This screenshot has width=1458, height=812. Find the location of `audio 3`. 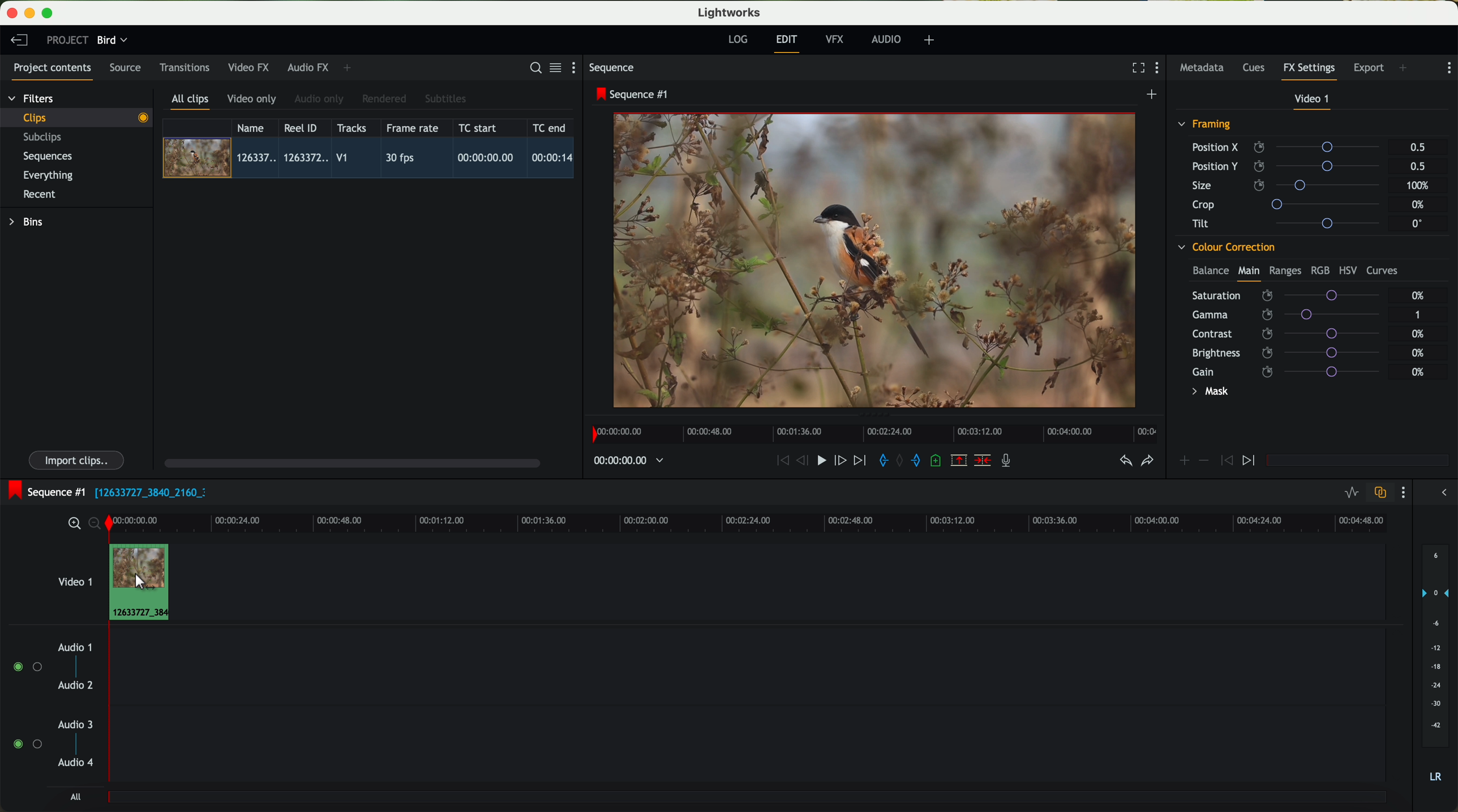

audio 3 is located at coordinates (70, 724).